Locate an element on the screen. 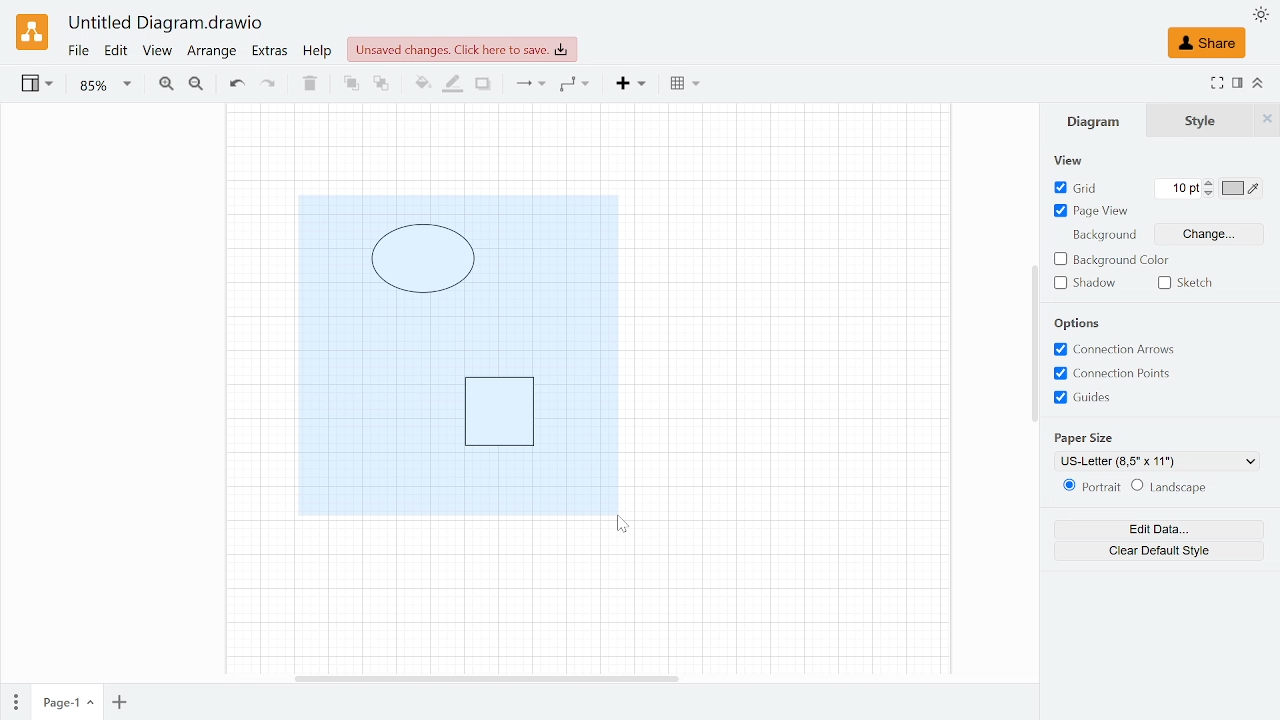 The image size is (1280, 720). Add oage is located at coordinates (119, 704).